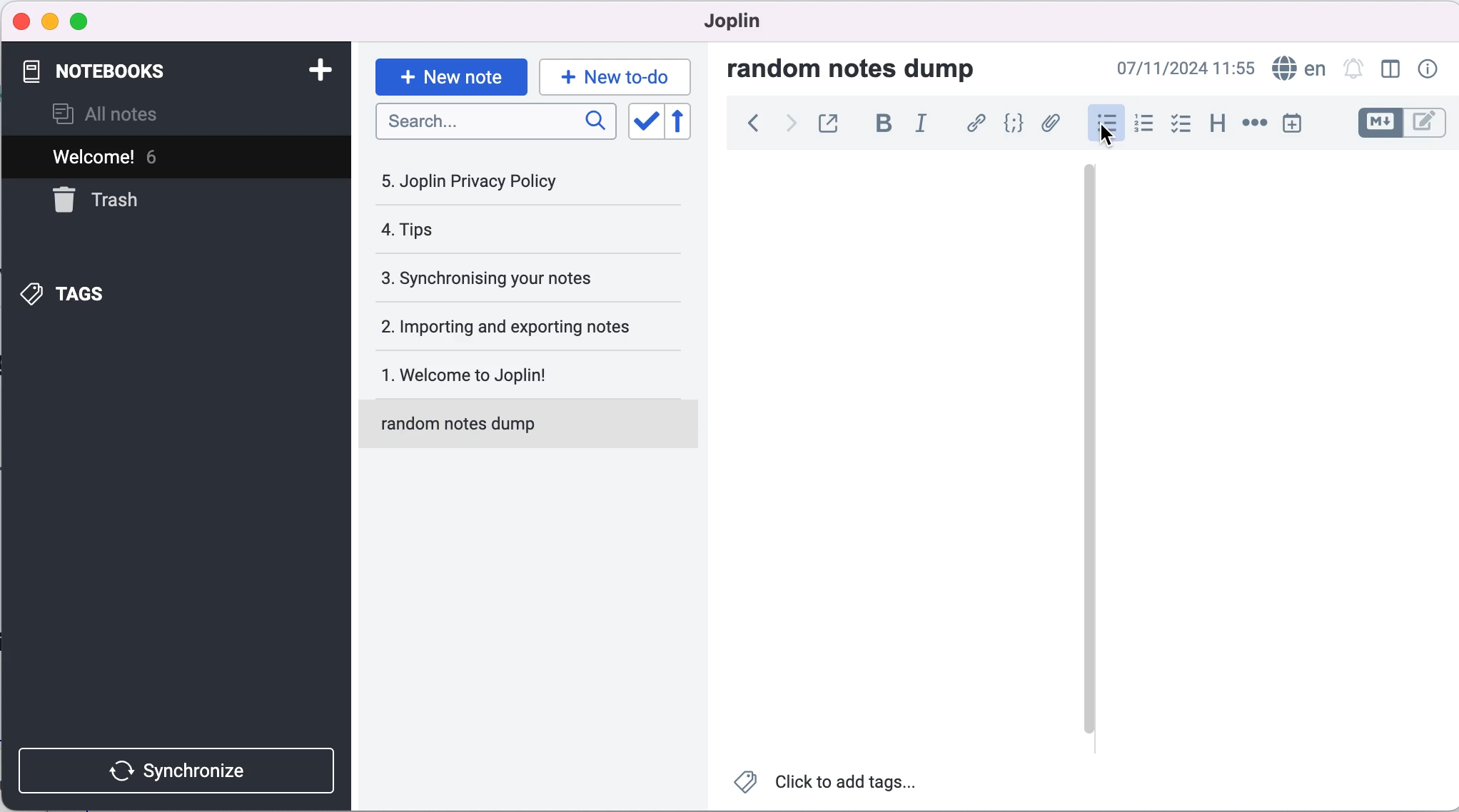 Image resolution: width=1459 pixels, height=812 pixels. I want to click on numbered list, so click(1141, 123).